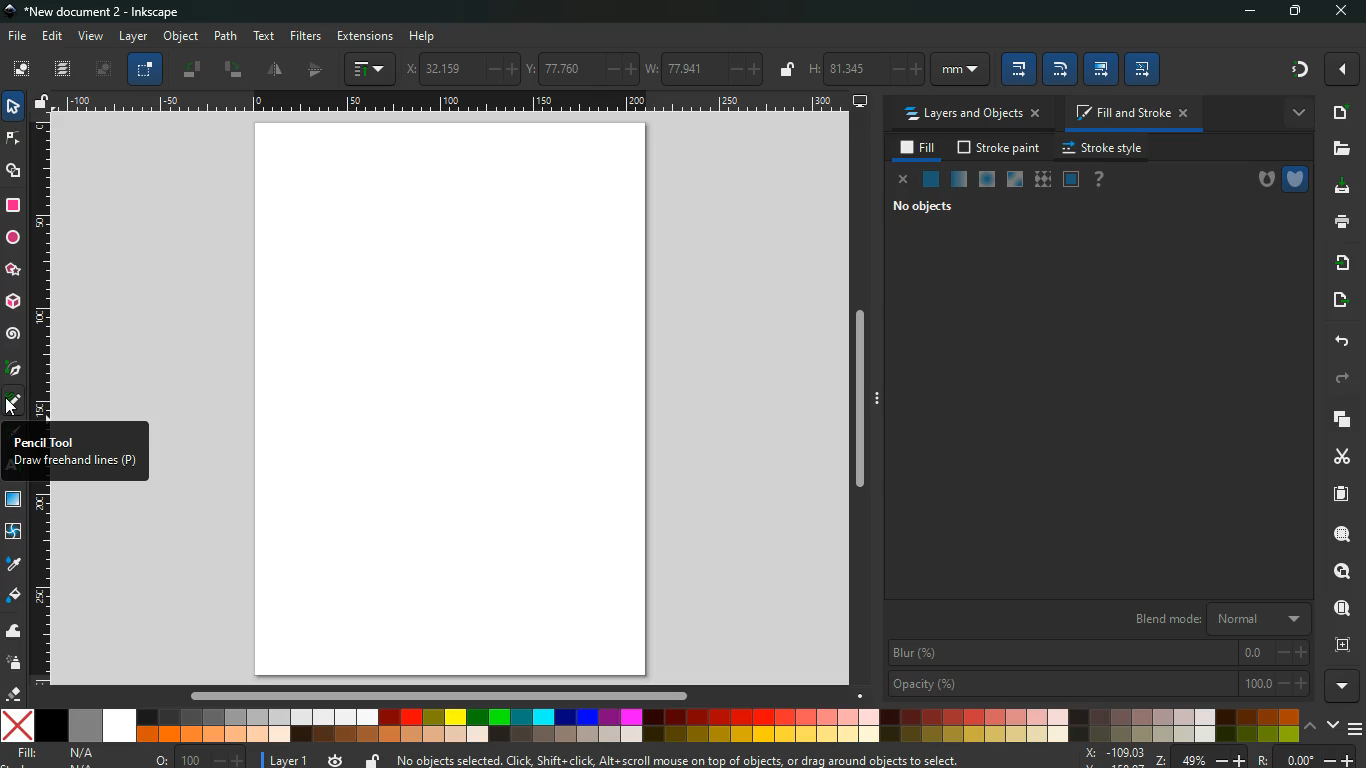  What do you see at coordinates (1101, 69) in the screenshot?
I see `edit` at bounding box center [1101, 69].